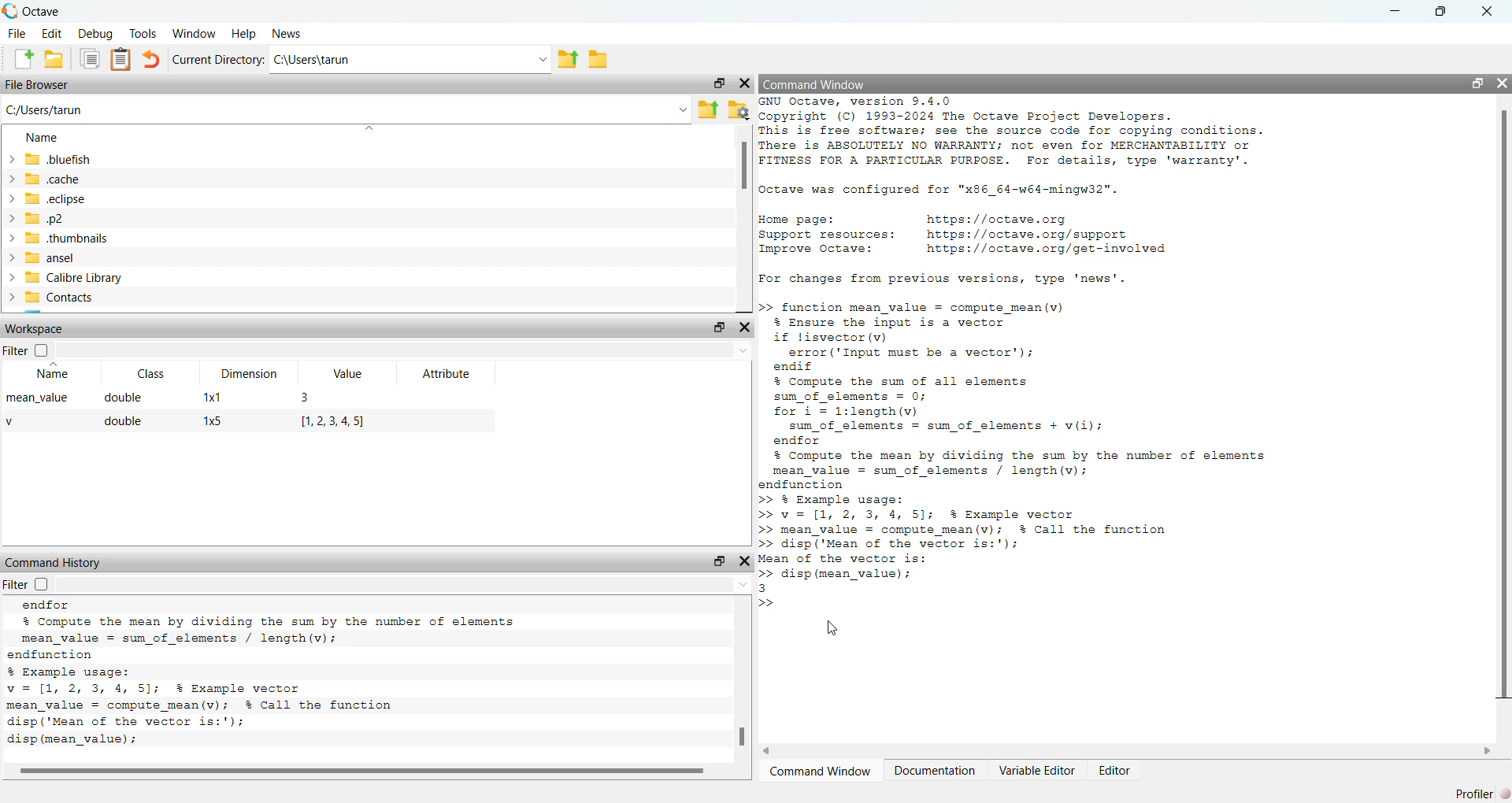 The height and width of the screenshot is (803, 1512). I want to click on add folder, so click(54, 58).